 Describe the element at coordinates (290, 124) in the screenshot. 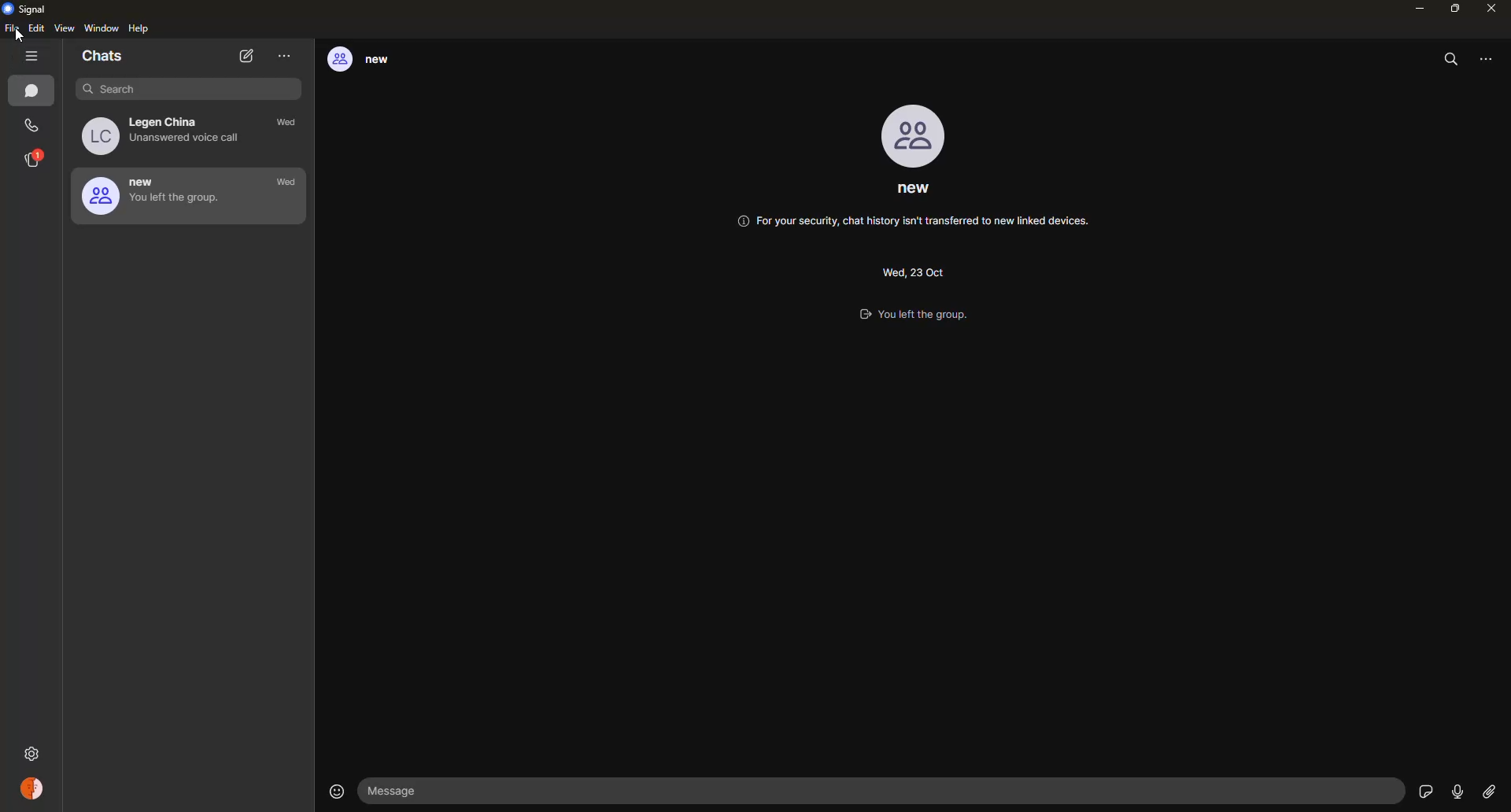

I see `wed` at that location.